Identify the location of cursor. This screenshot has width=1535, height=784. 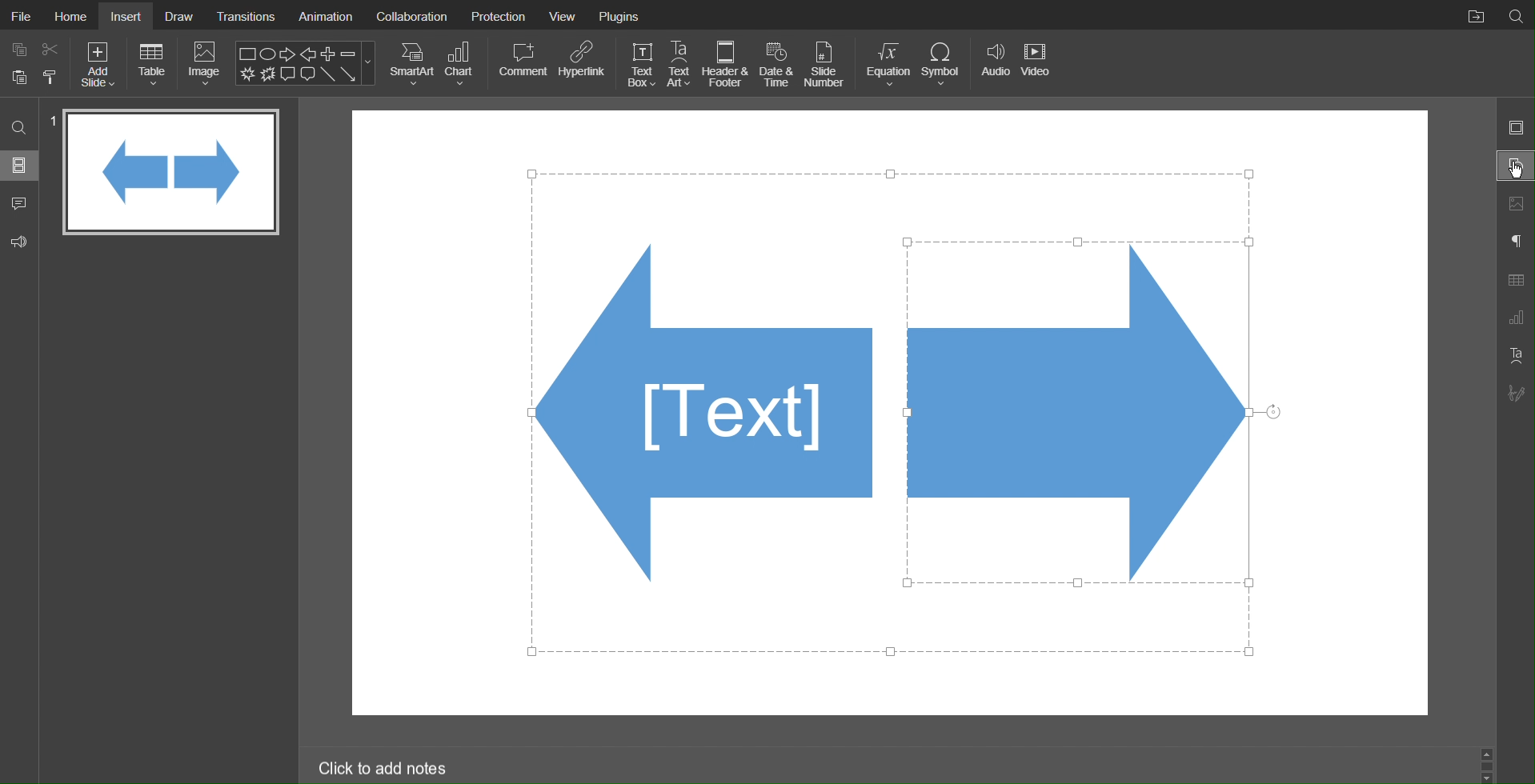
(1515, 171).